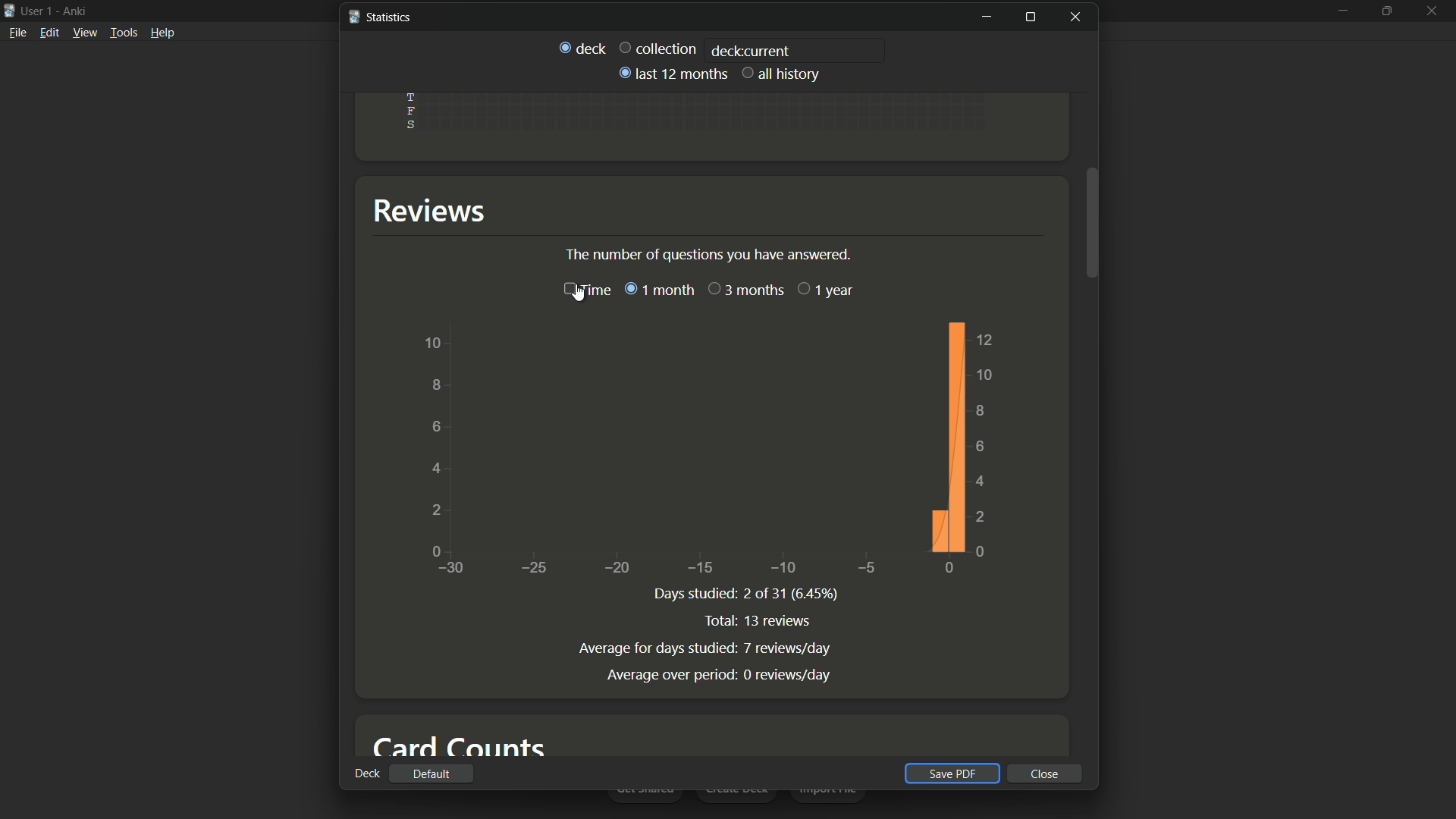 The width and height of the screenshot is (1456, 819). I want to click on cursor, so click(580, 299).